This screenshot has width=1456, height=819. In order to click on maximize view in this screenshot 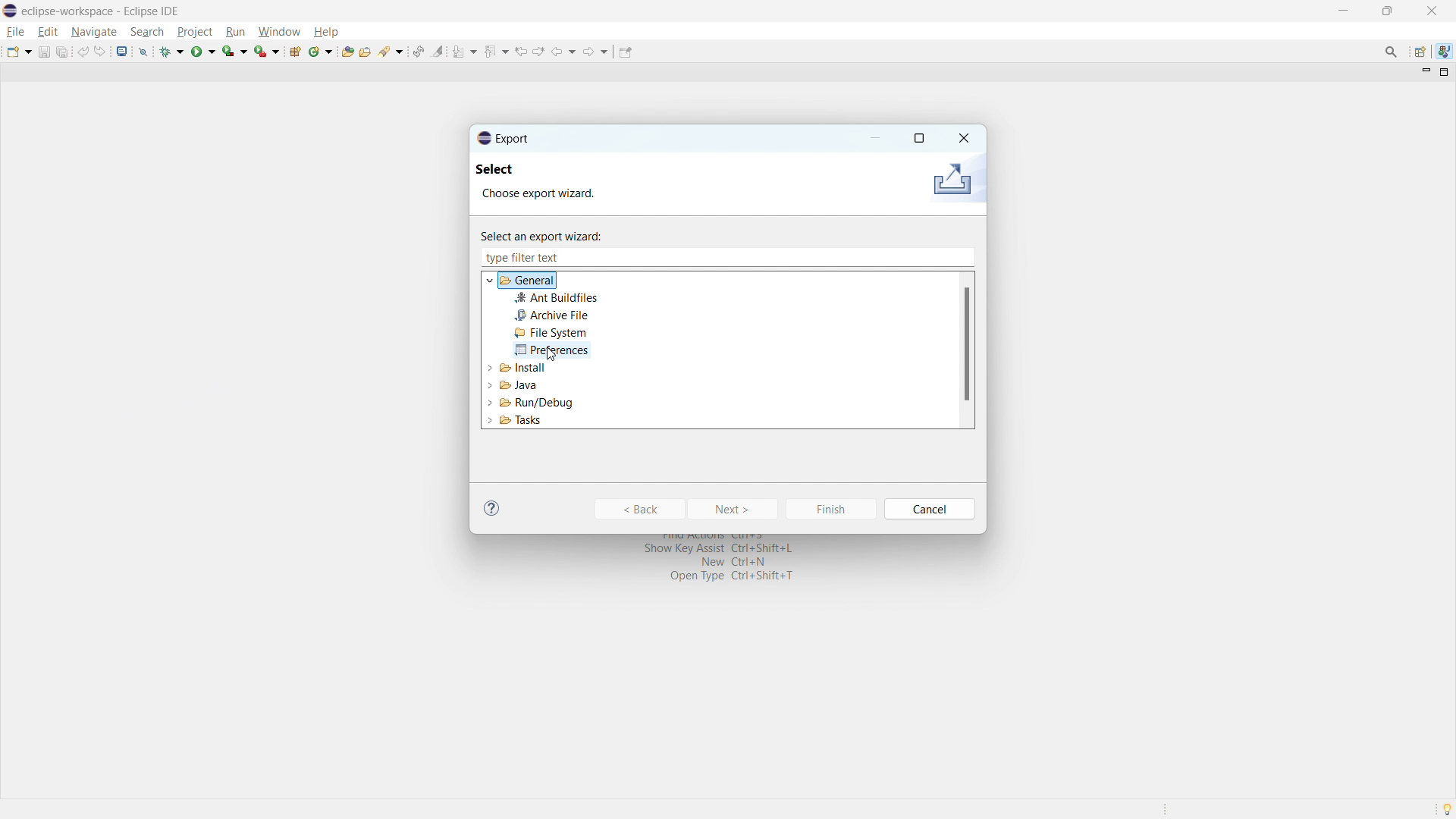, I will do `click(1445, 72)`.